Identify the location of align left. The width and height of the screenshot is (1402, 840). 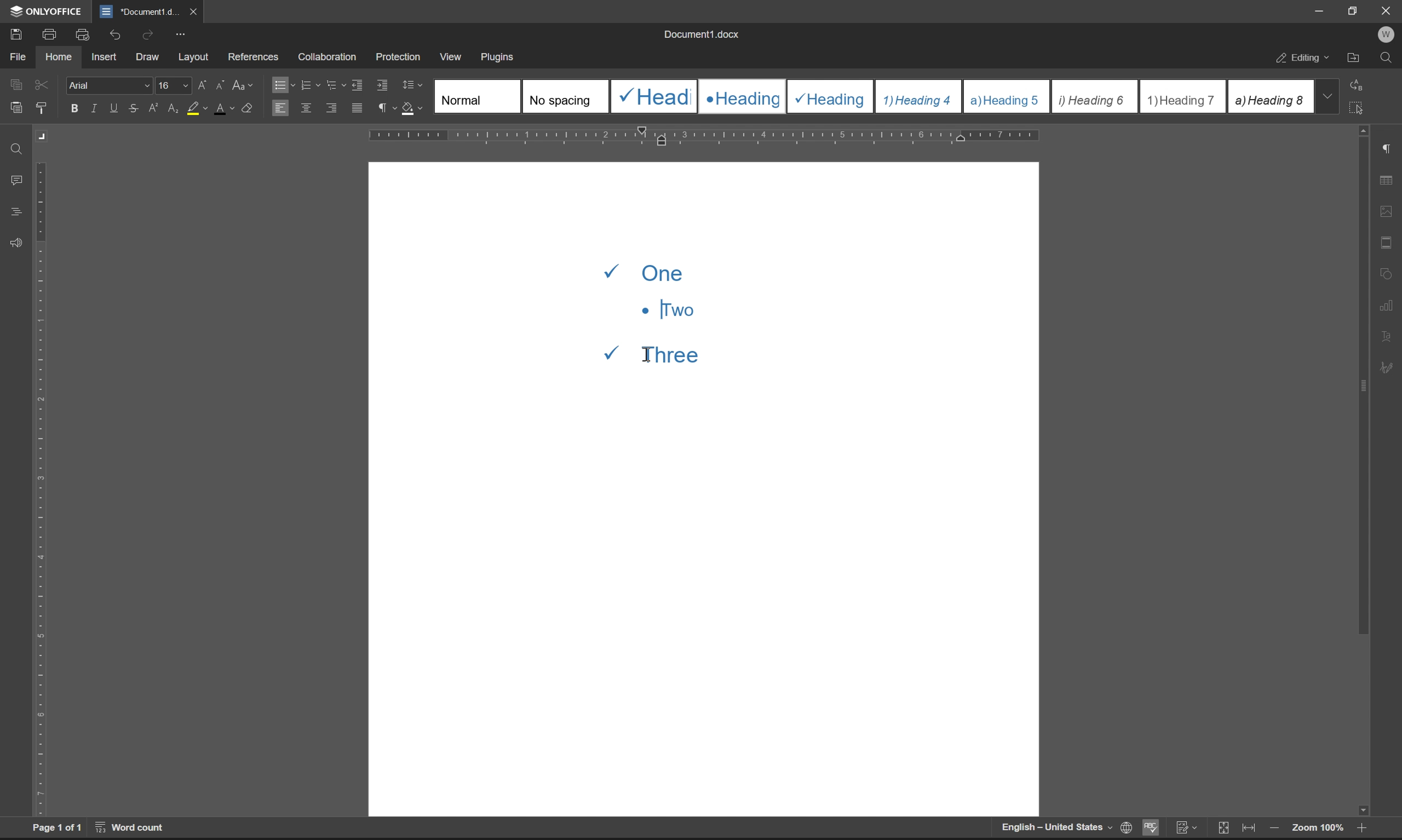
(280, 107).